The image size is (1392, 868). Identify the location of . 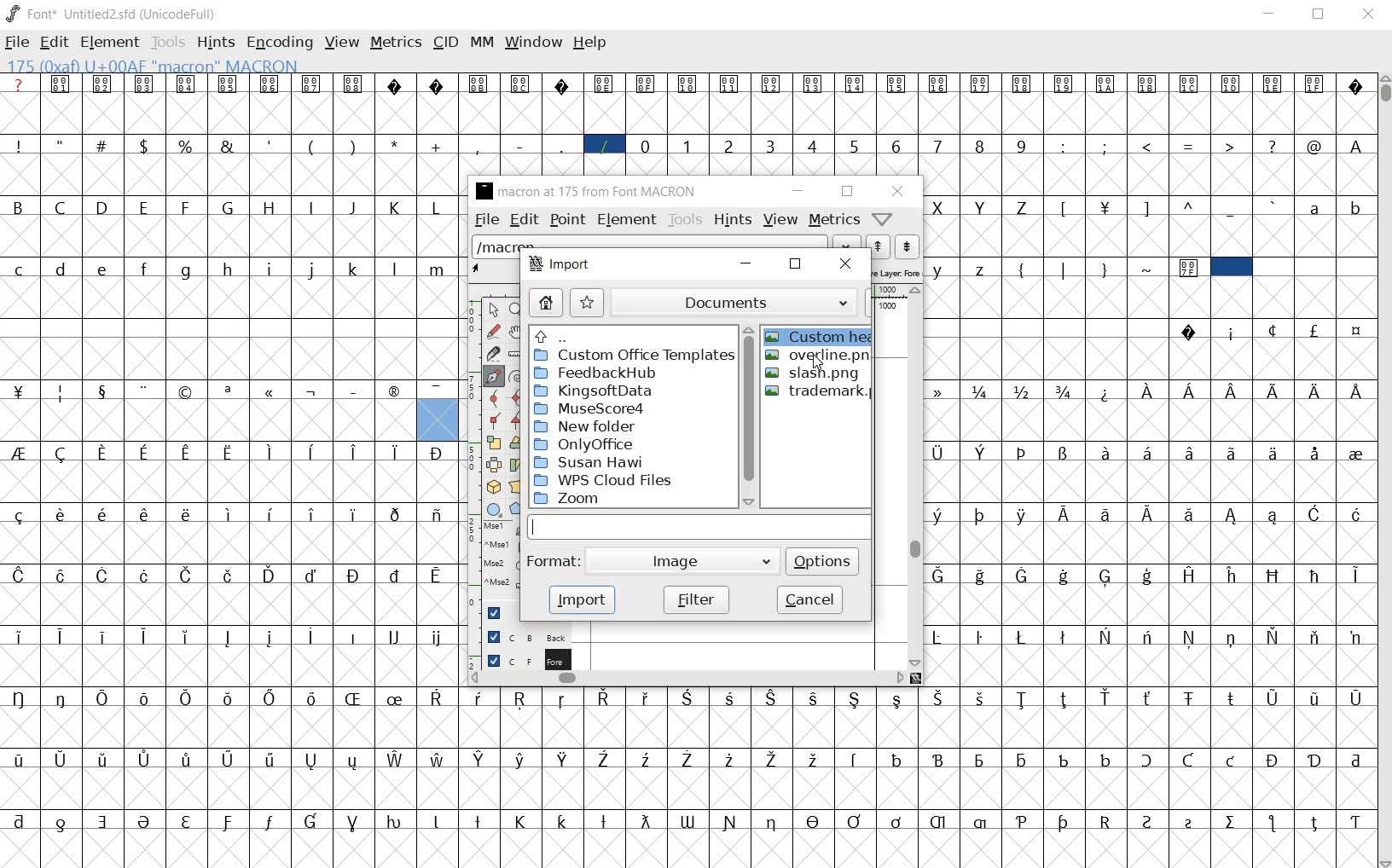
(1190, 758).